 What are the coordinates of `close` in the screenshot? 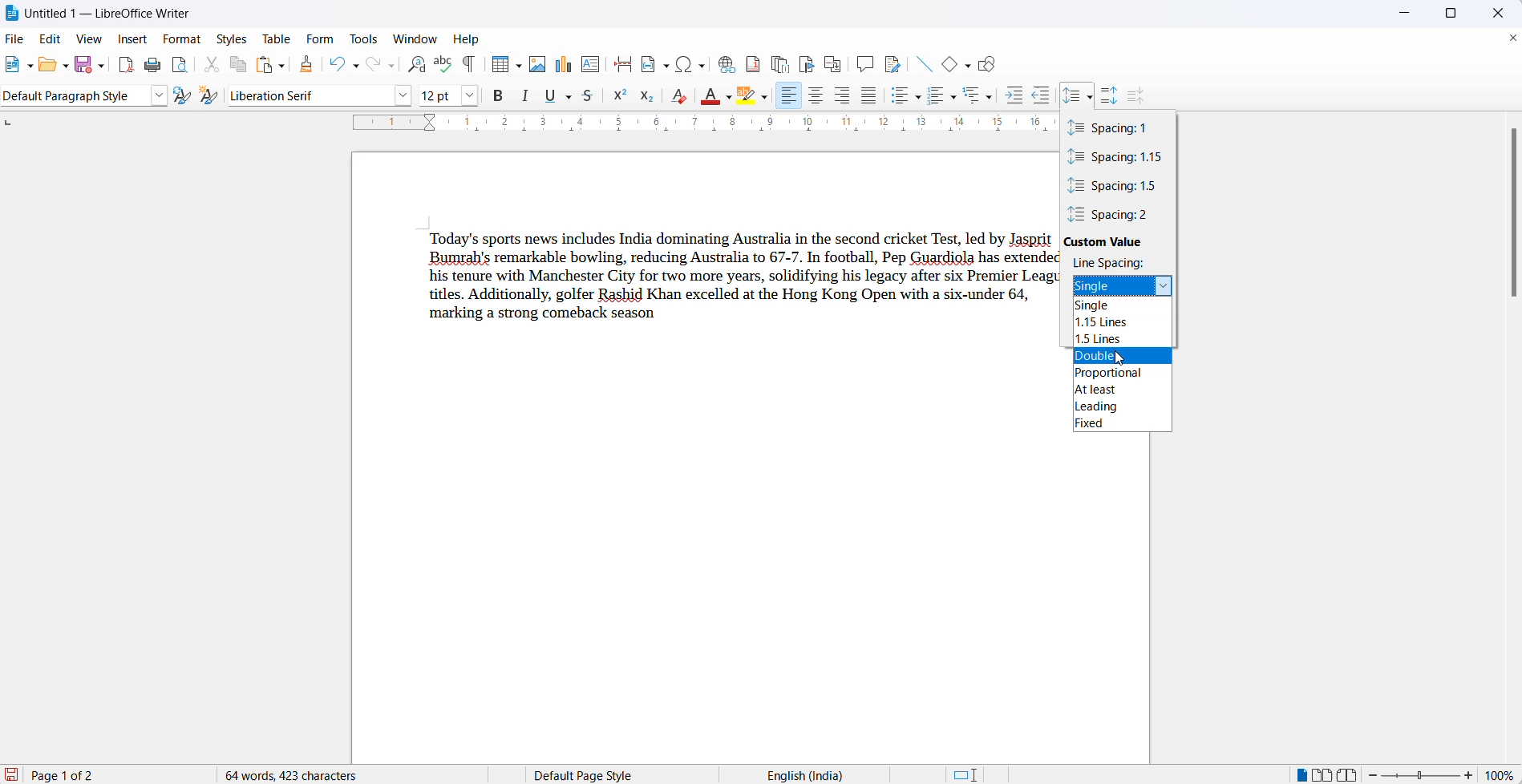 It's located at (1494, 12).